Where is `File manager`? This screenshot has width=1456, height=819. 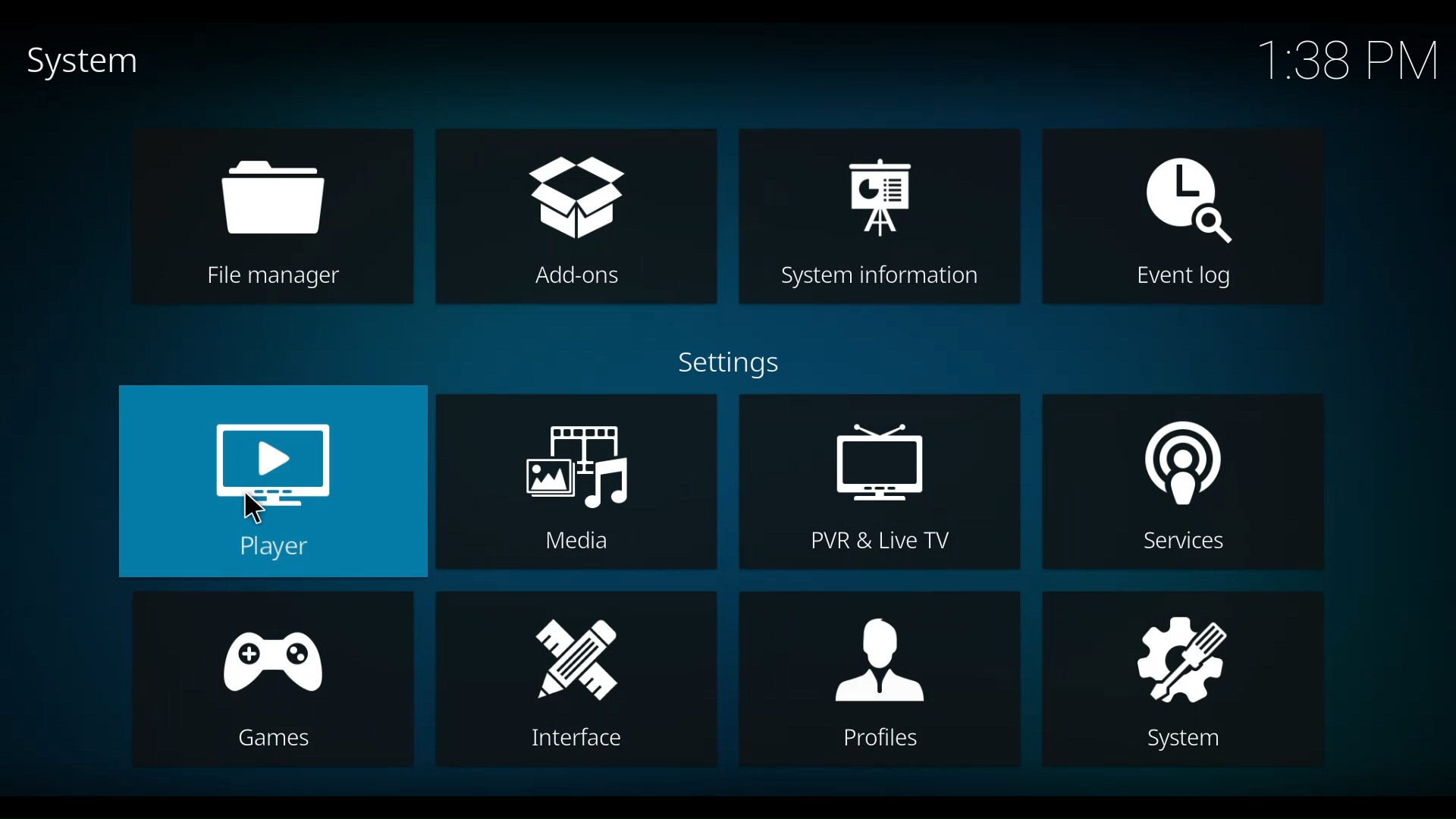 File manager is located at coordinates (272, 212).